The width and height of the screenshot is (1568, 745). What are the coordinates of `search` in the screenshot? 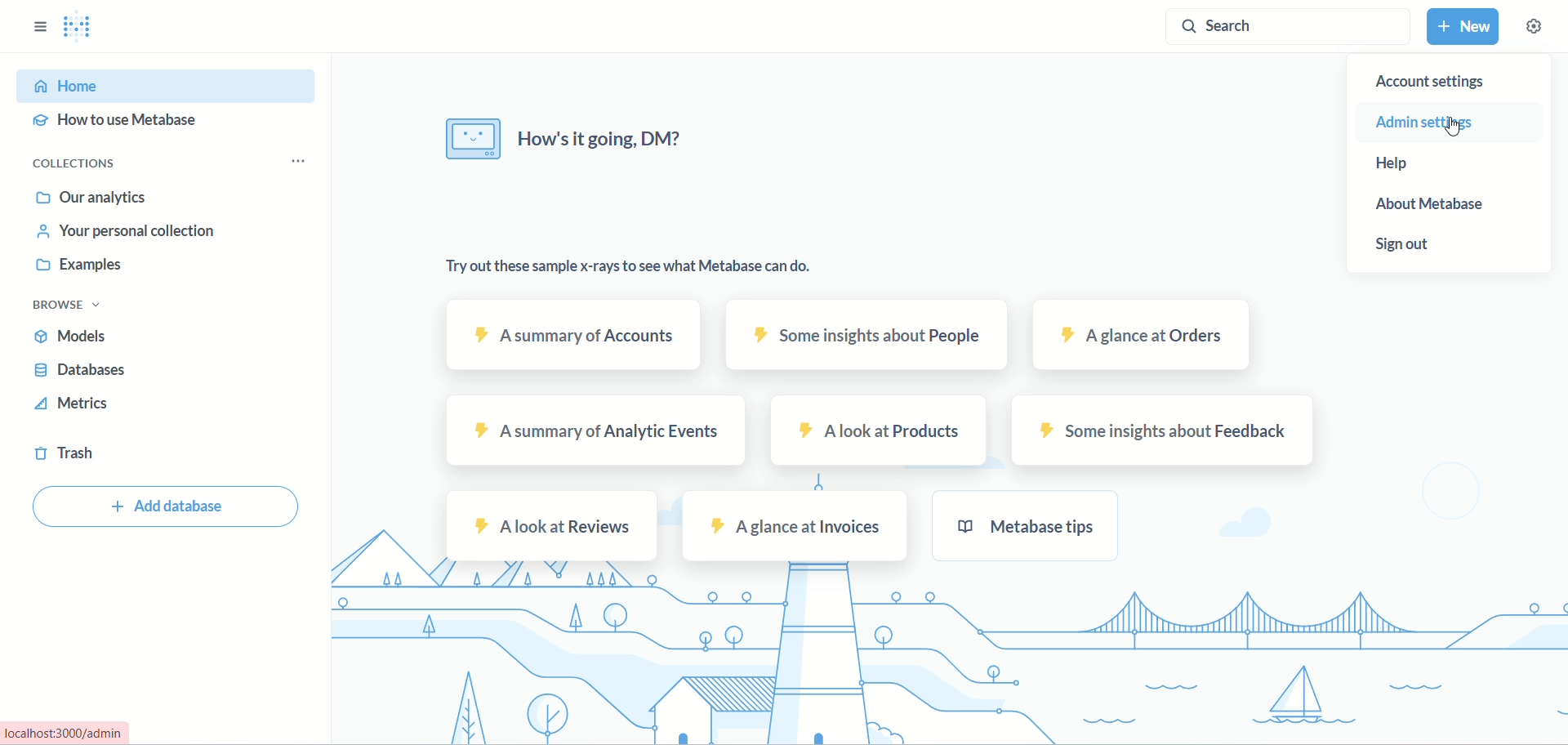 It's located at (1288, 27).